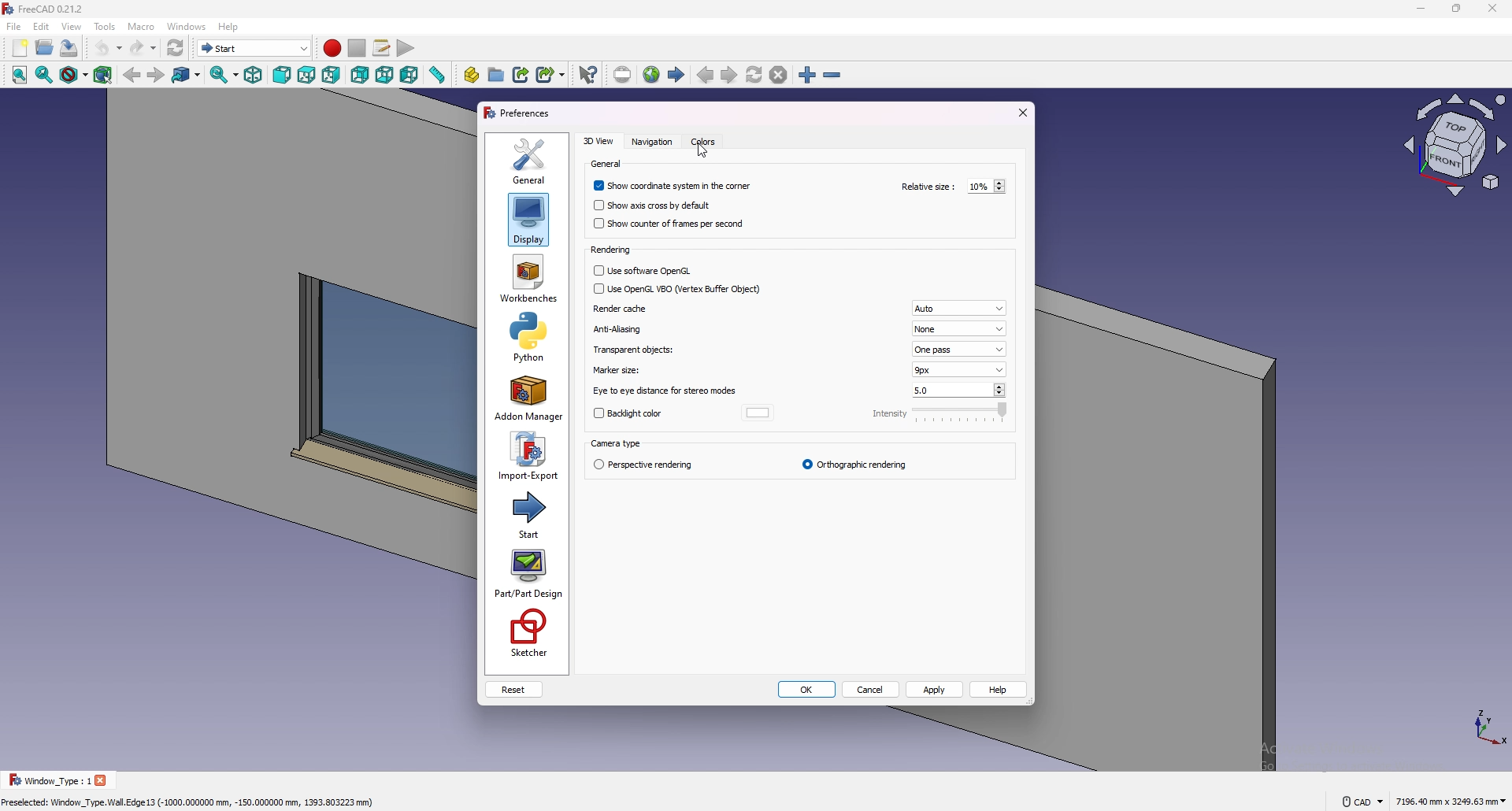 The width and height of the screenshot is (1512, 811). Describe the element at coordinates (1451, 800) in the screenshot. I see `7196.40 mm x 3243.63 mm ~~` at that location.